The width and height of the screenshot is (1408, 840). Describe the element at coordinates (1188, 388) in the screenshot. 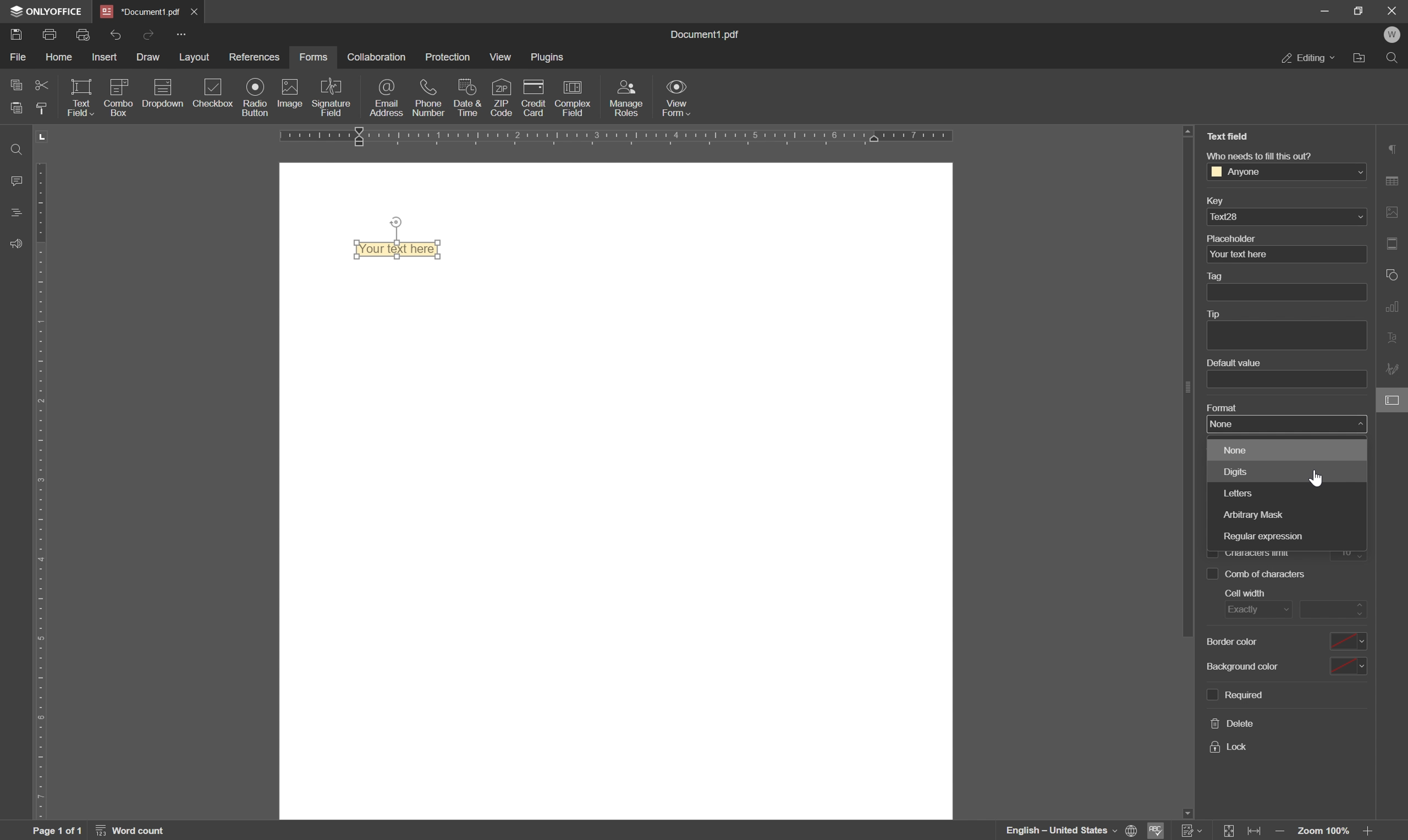

I see `scroll bar` at that location.